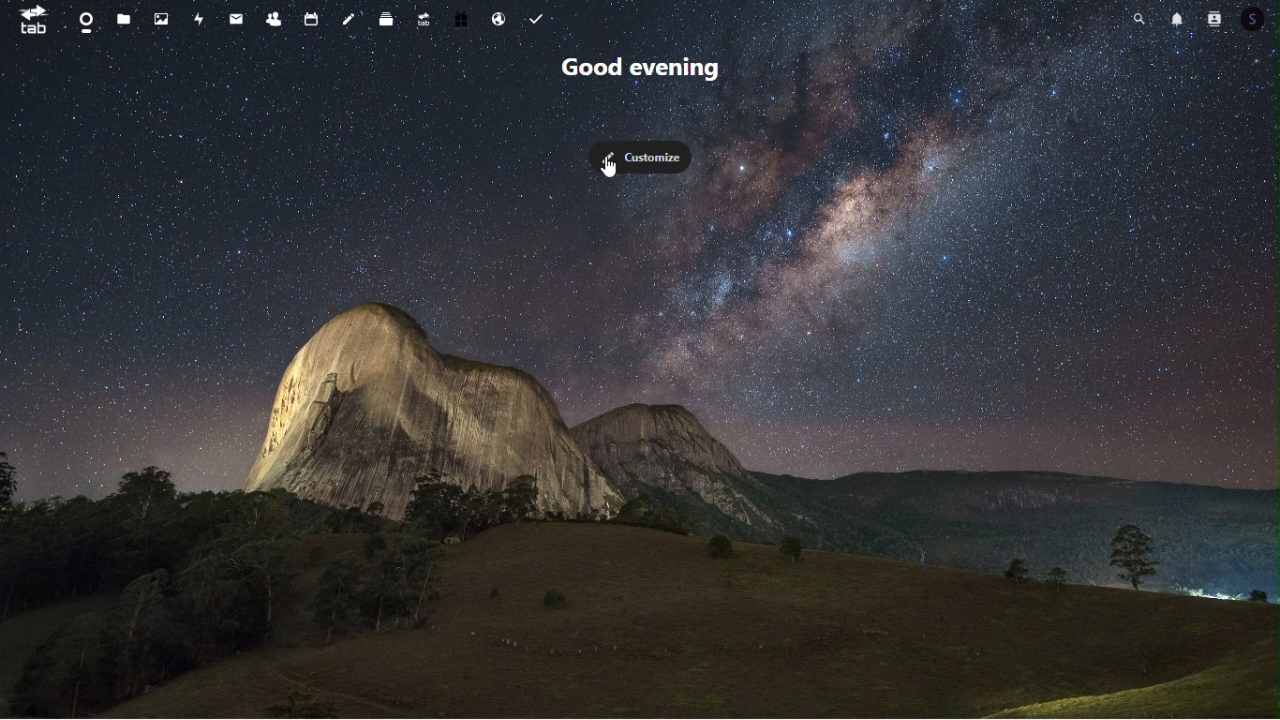 The image size is (1280, 720). I want to click on Photos, so click(161, 17).